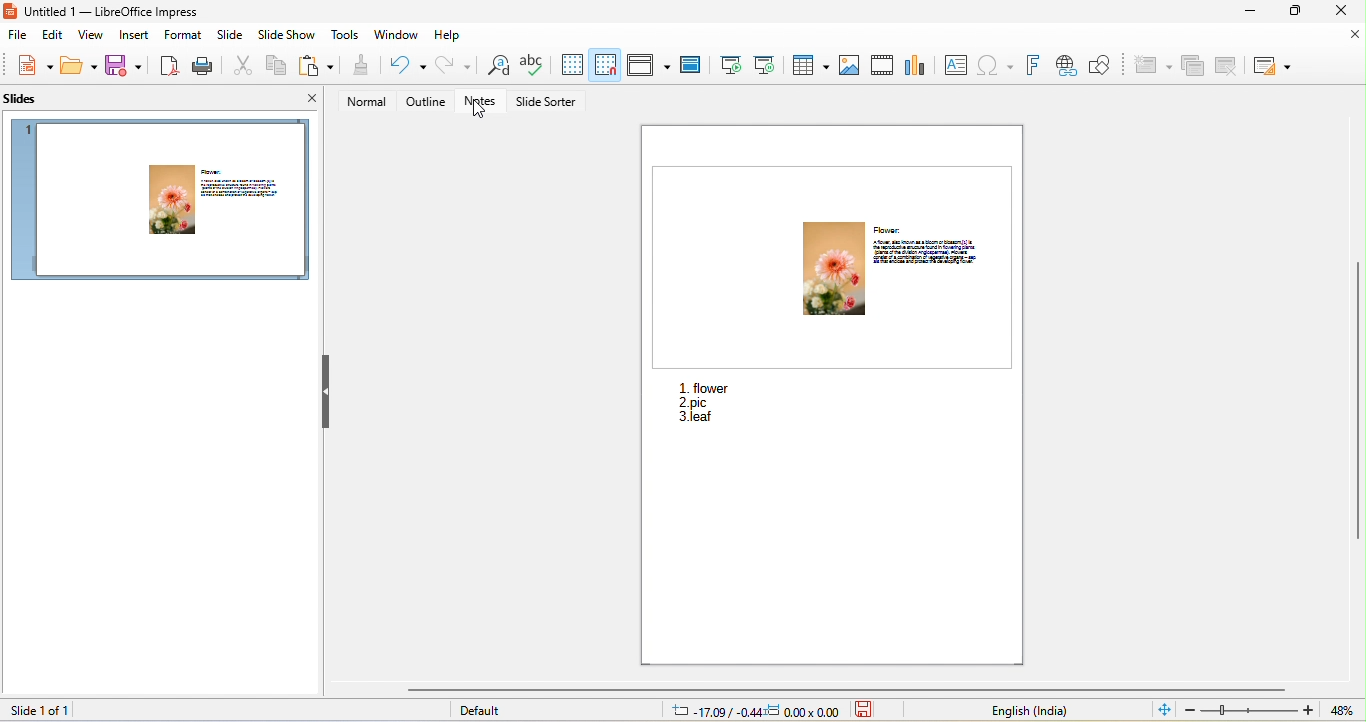 This screenshot has width=1366, height=722. Describe the element at coordinates (1102, 64) in the screenshot. I see `show draw function` at that location.